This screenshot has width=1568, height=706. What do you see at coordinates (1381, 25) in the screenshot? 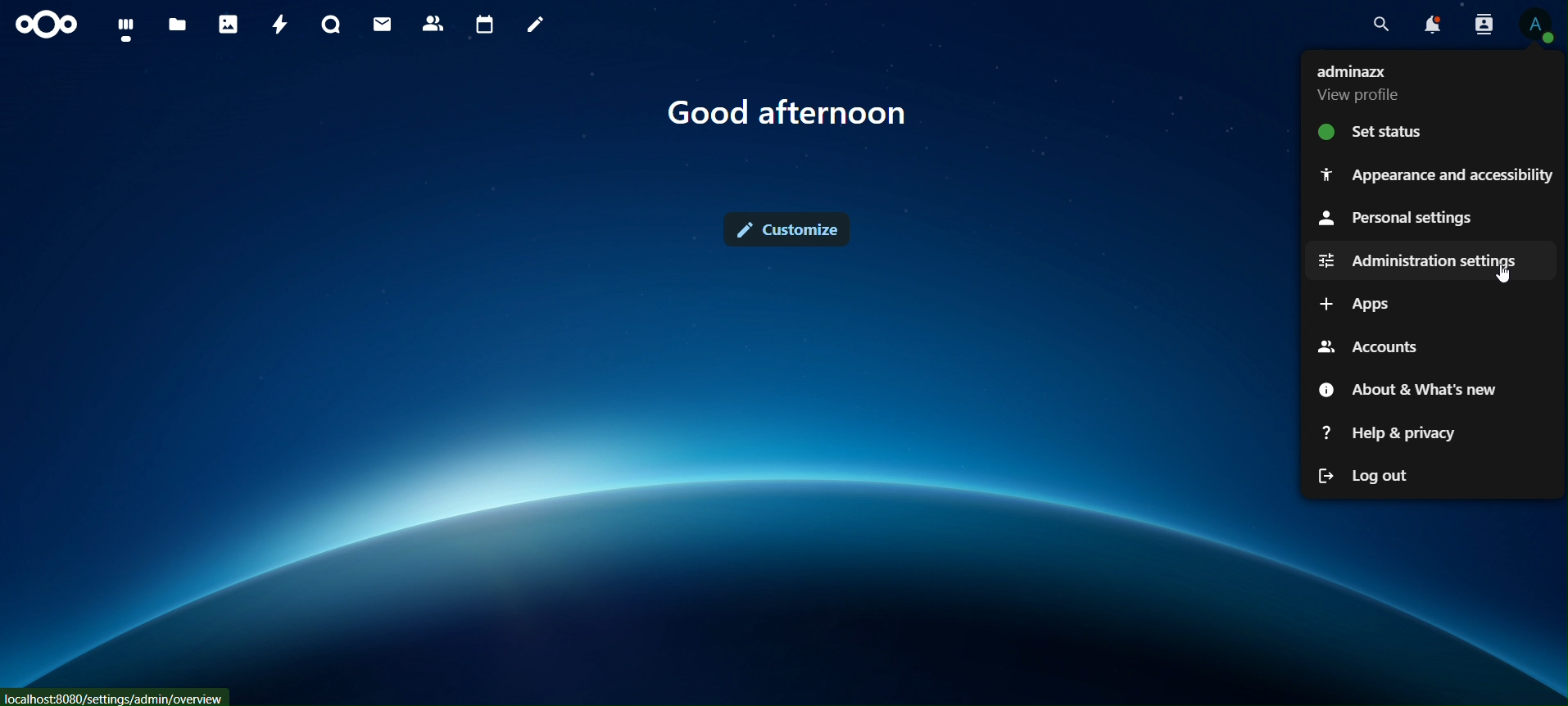
I see `search` at bounding box center [1381, 25].